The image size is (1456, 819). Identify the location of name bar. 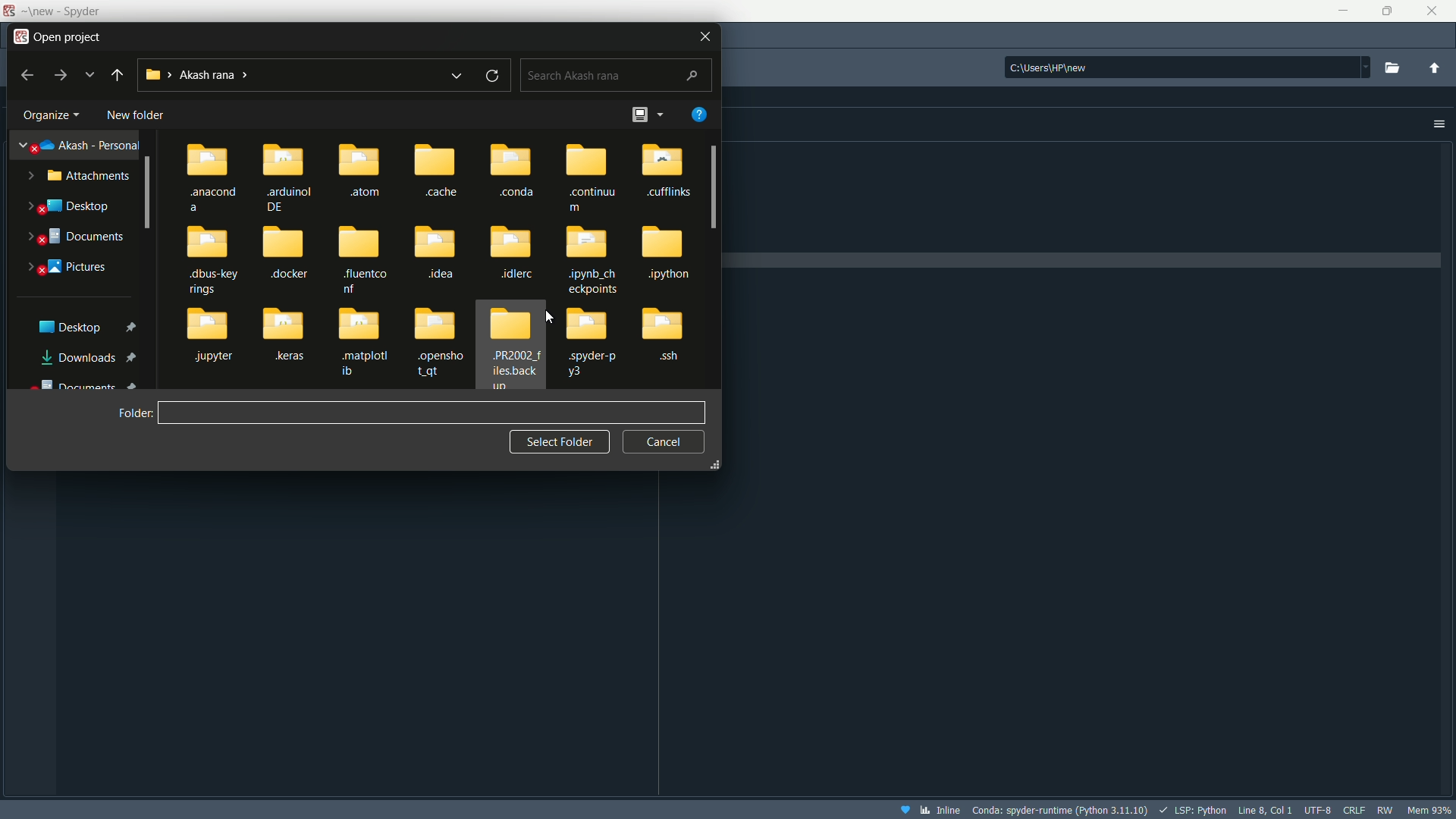
(431, 413).